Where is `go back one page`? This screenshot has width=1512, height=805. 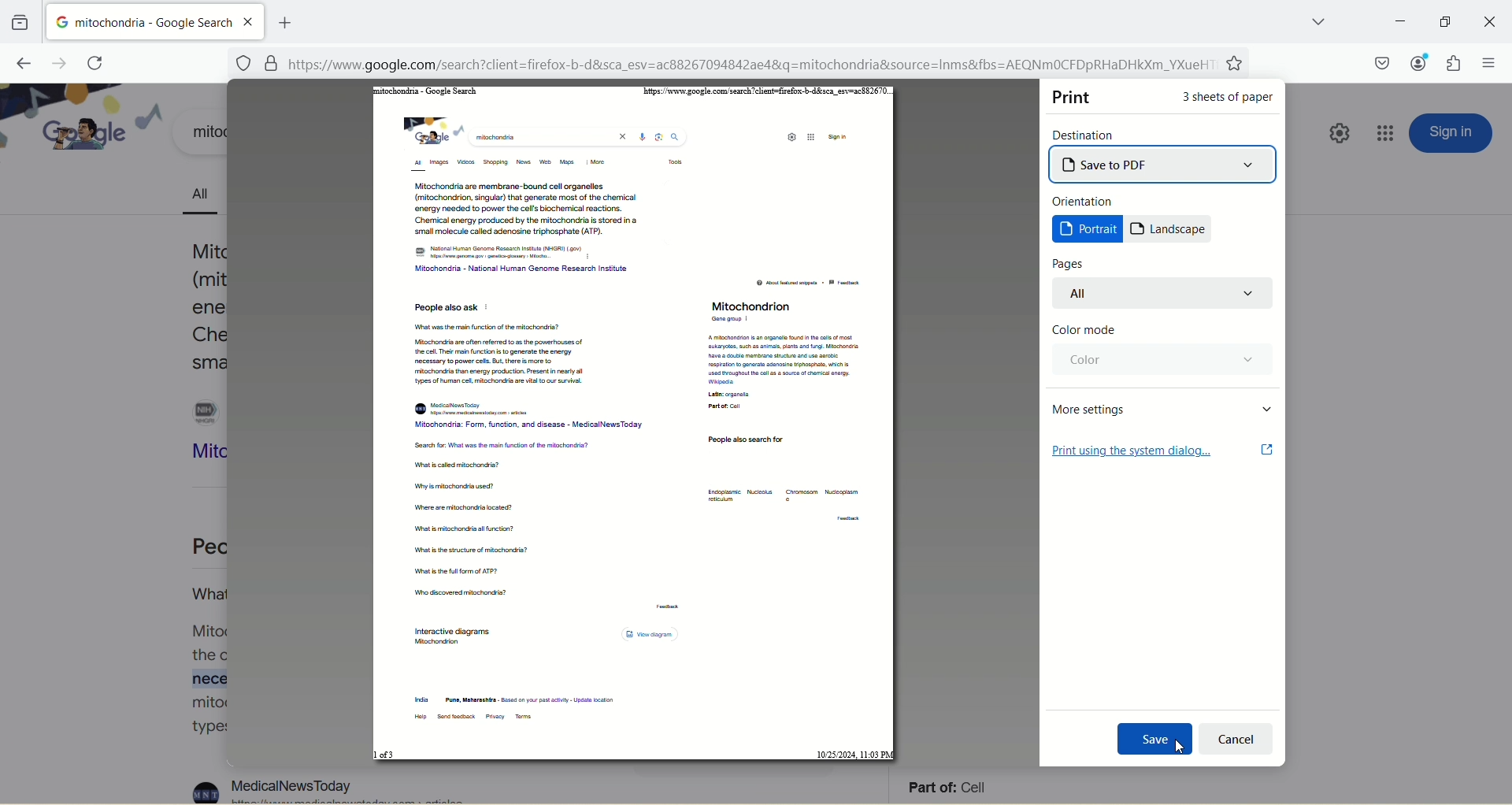 go back one page is located at coordinates (21, 61).